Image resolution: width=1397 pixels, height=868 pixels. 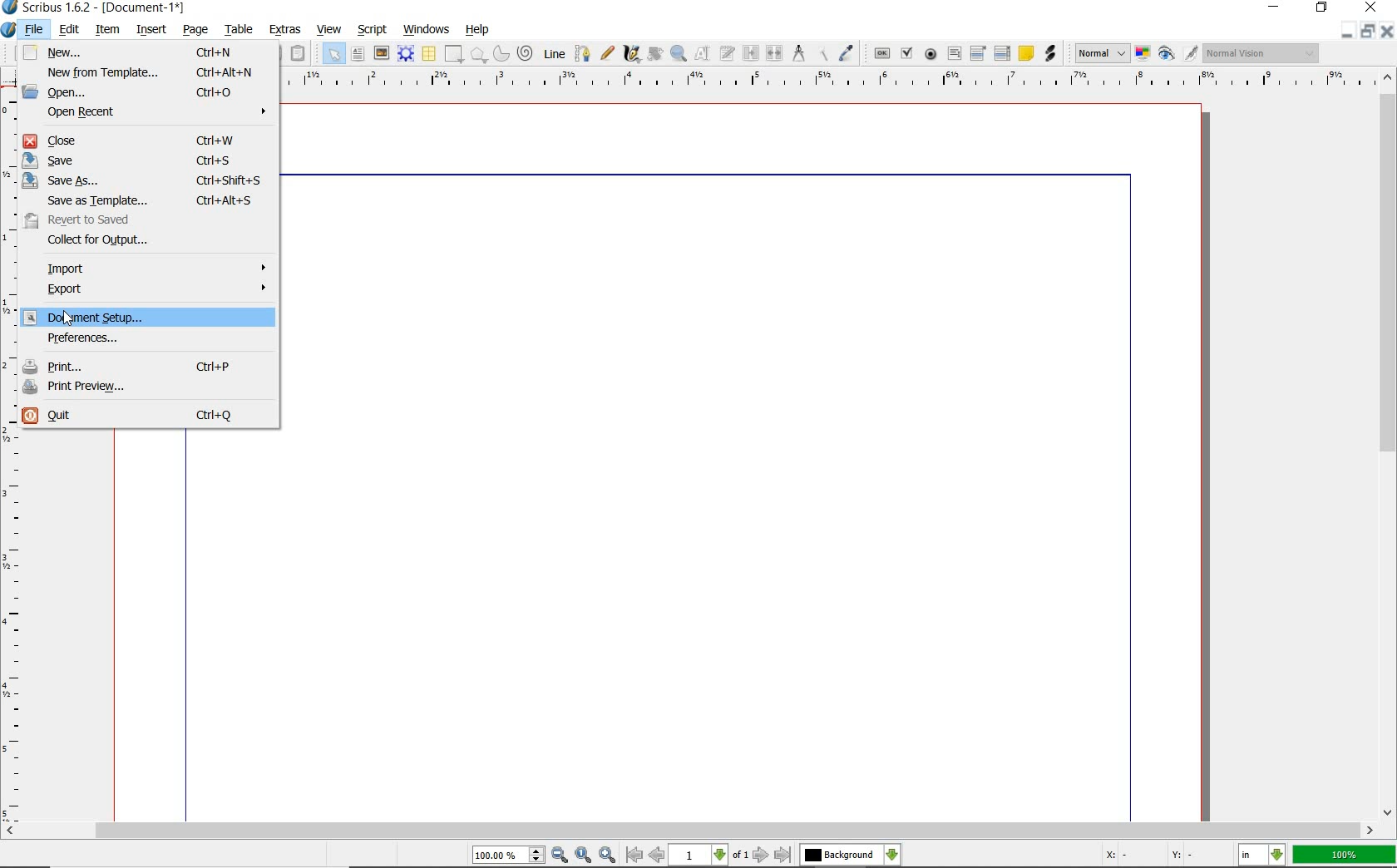 I want to click on IMPORT, so click(x=155, y=269).